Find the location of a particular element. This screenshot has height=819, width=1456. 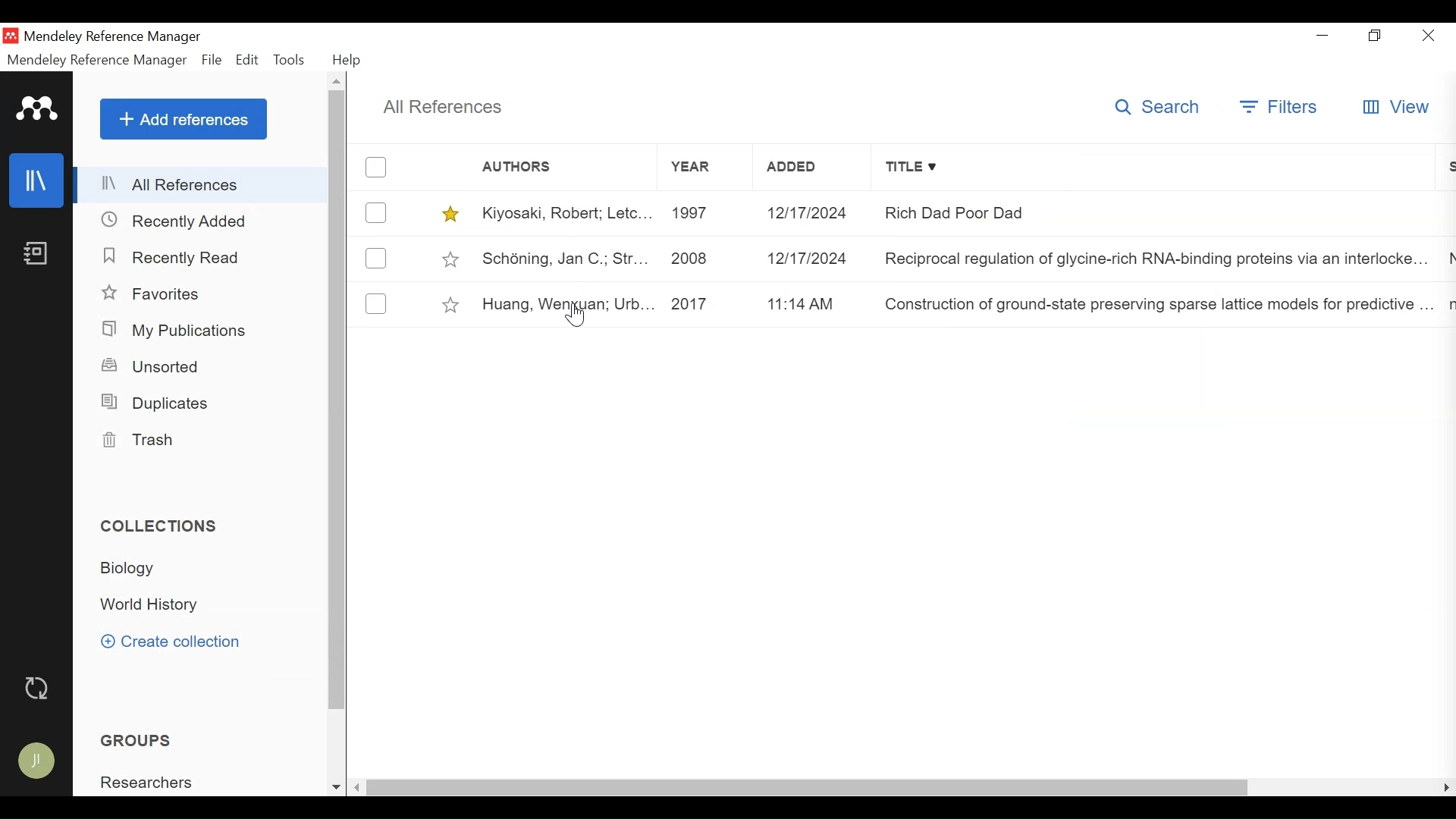

Duplicates is located at coordinates (155, 403).